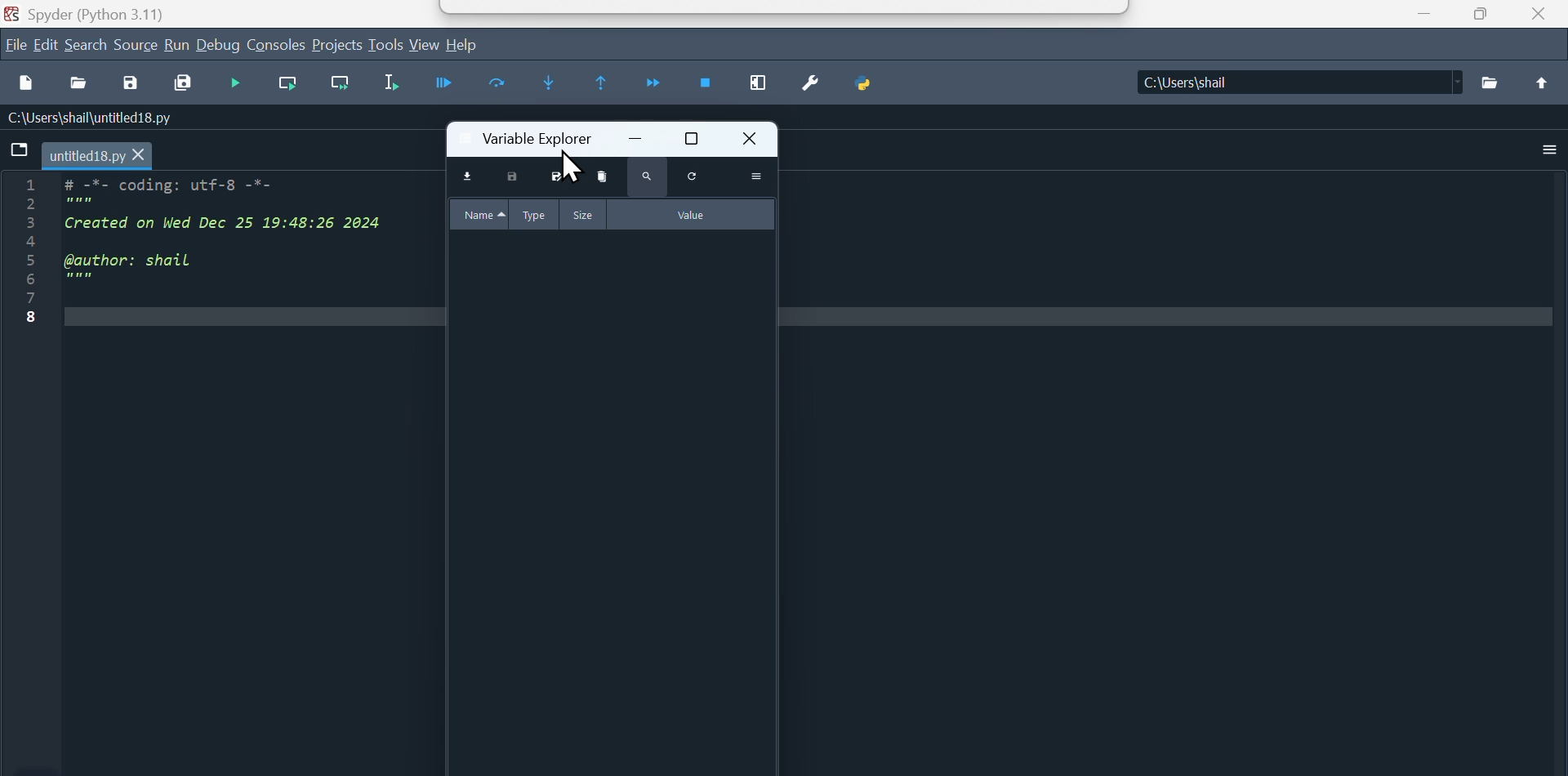 The height and width of the screenshot is (776, 1568). Describe the element at coordinates (475, 214) in the screenshot. I see `name ` at that location.